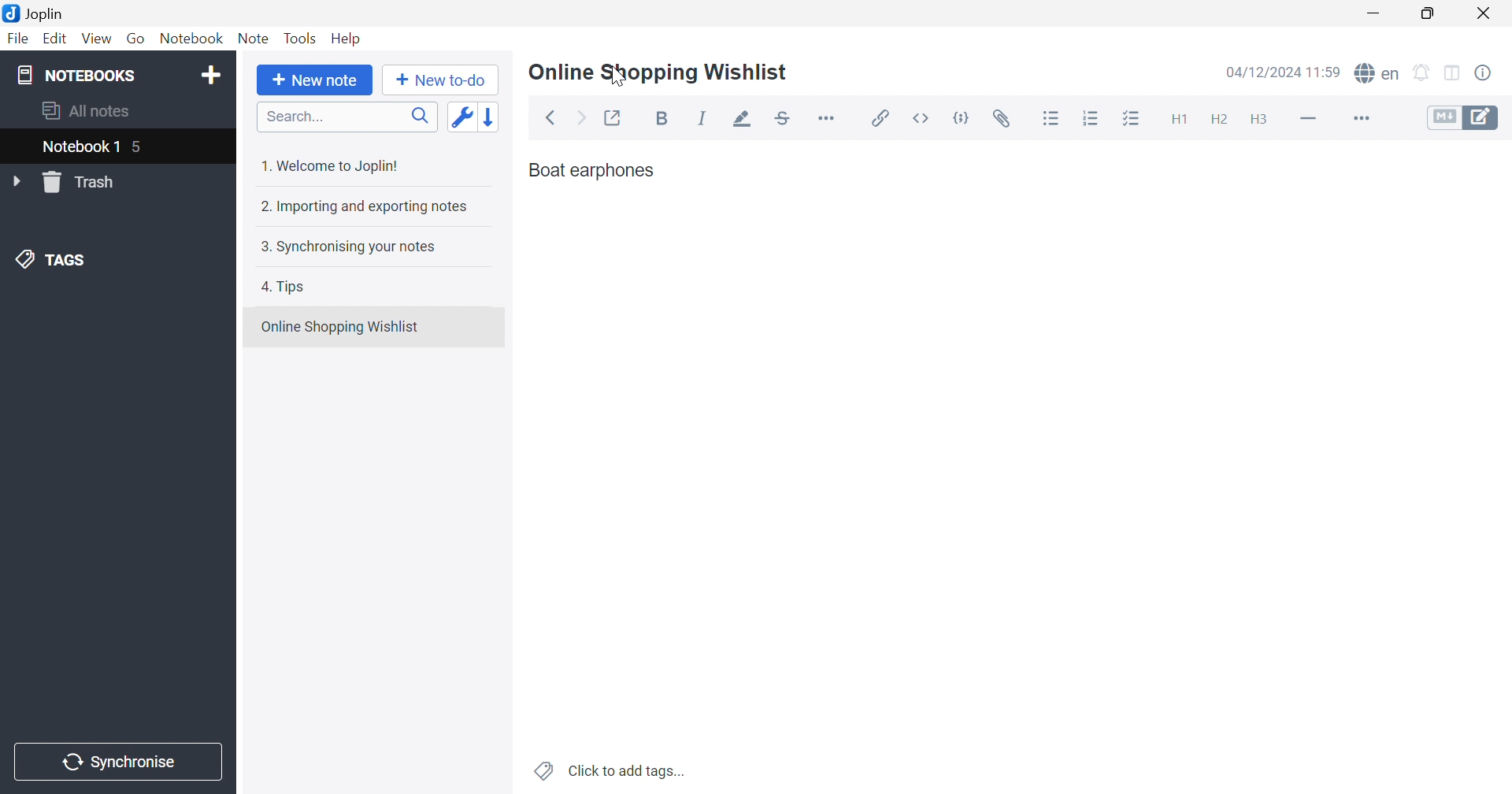 Image resolution: width=1512 pixels, height=794 pixels. I want to click on Note, so click(253, 40).